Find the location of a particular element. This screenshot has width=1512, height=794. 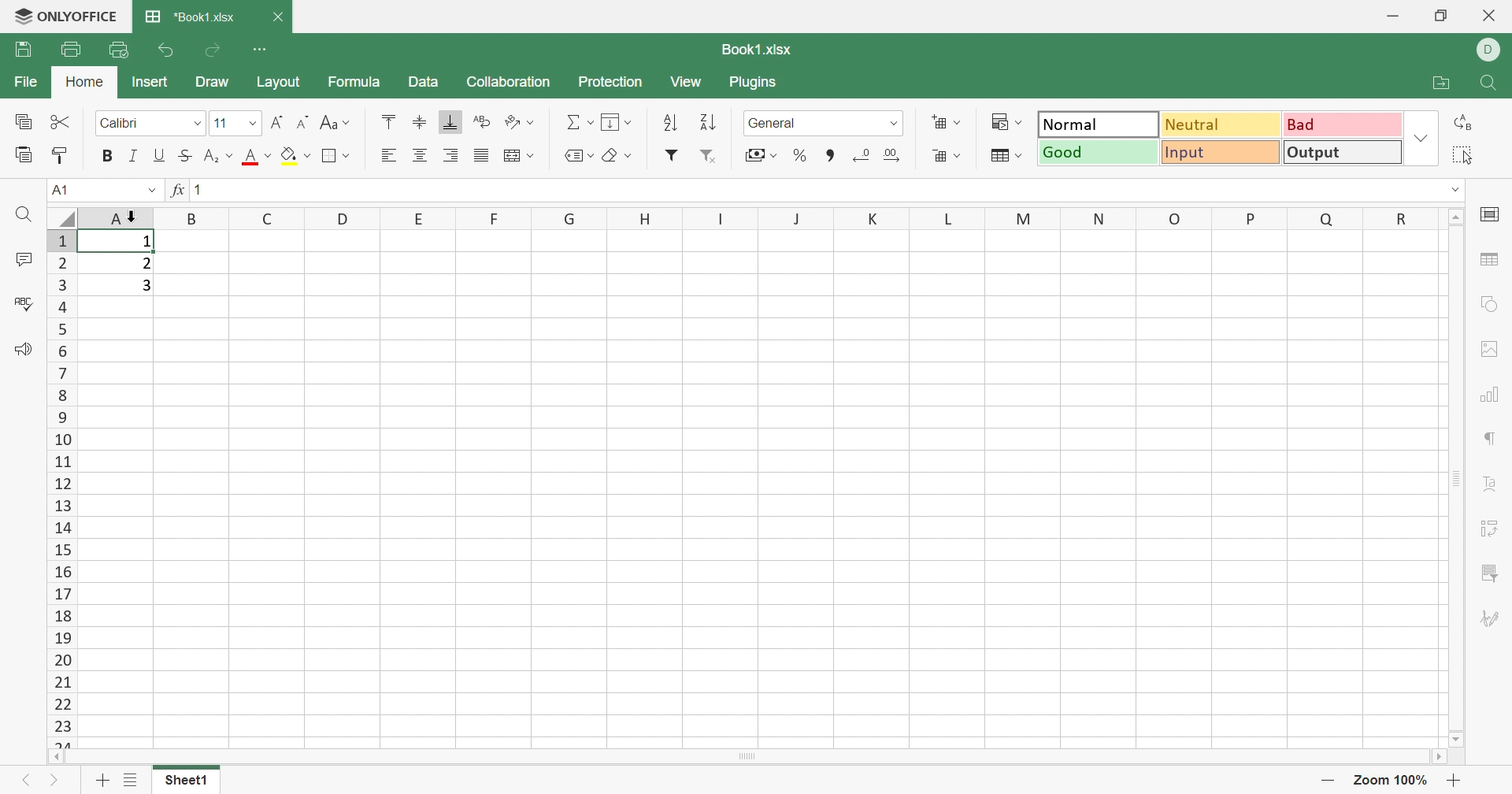

Sort ascending is located at coordinates (673, 123).